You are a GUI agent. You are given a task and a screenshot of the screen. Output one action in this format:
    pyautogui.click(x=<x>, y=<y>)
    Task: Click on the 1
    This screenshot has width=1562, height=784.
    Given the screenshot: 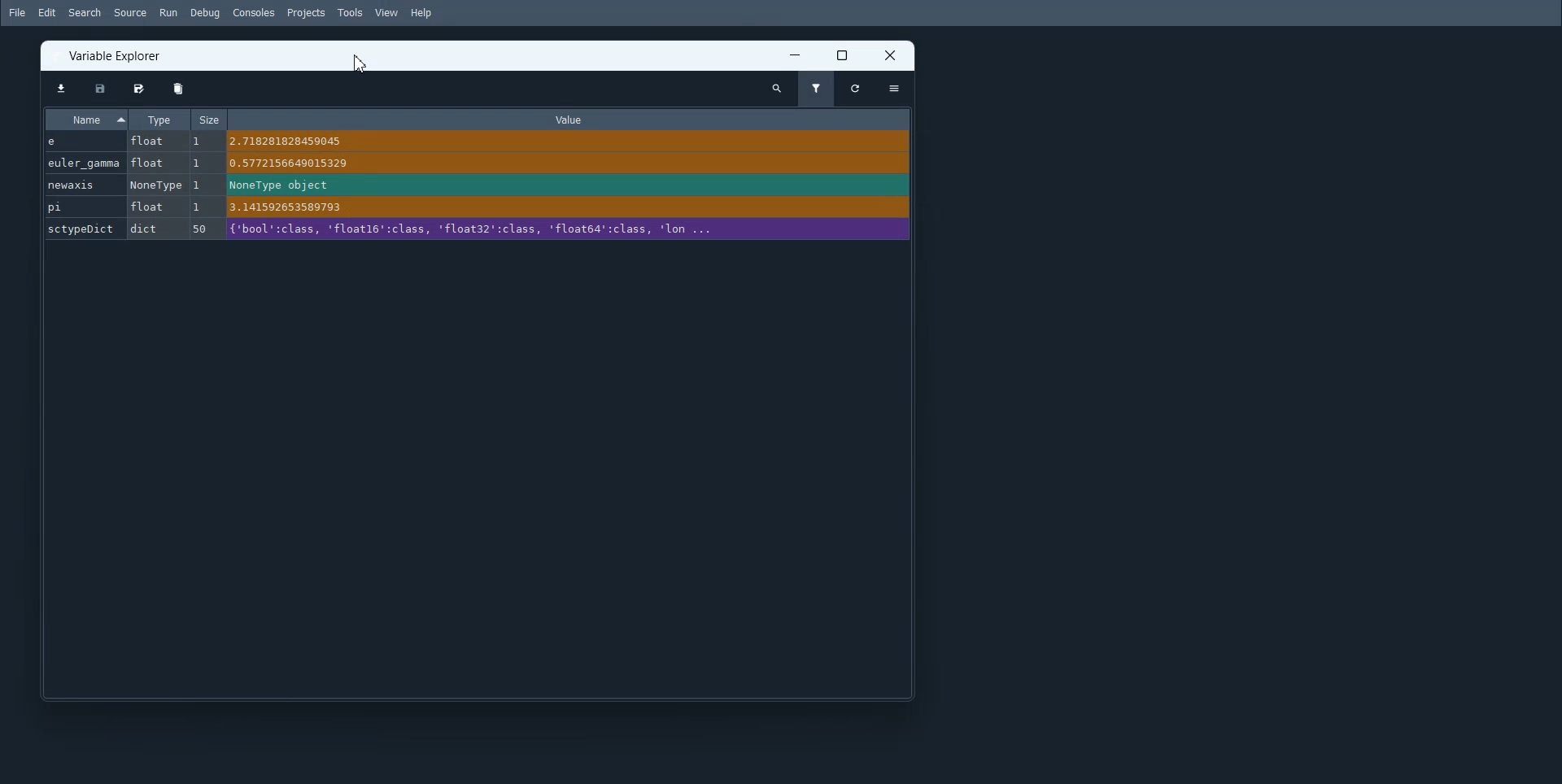 What is the action you would take?
    pyautogui.click(x=199, y=142)
    